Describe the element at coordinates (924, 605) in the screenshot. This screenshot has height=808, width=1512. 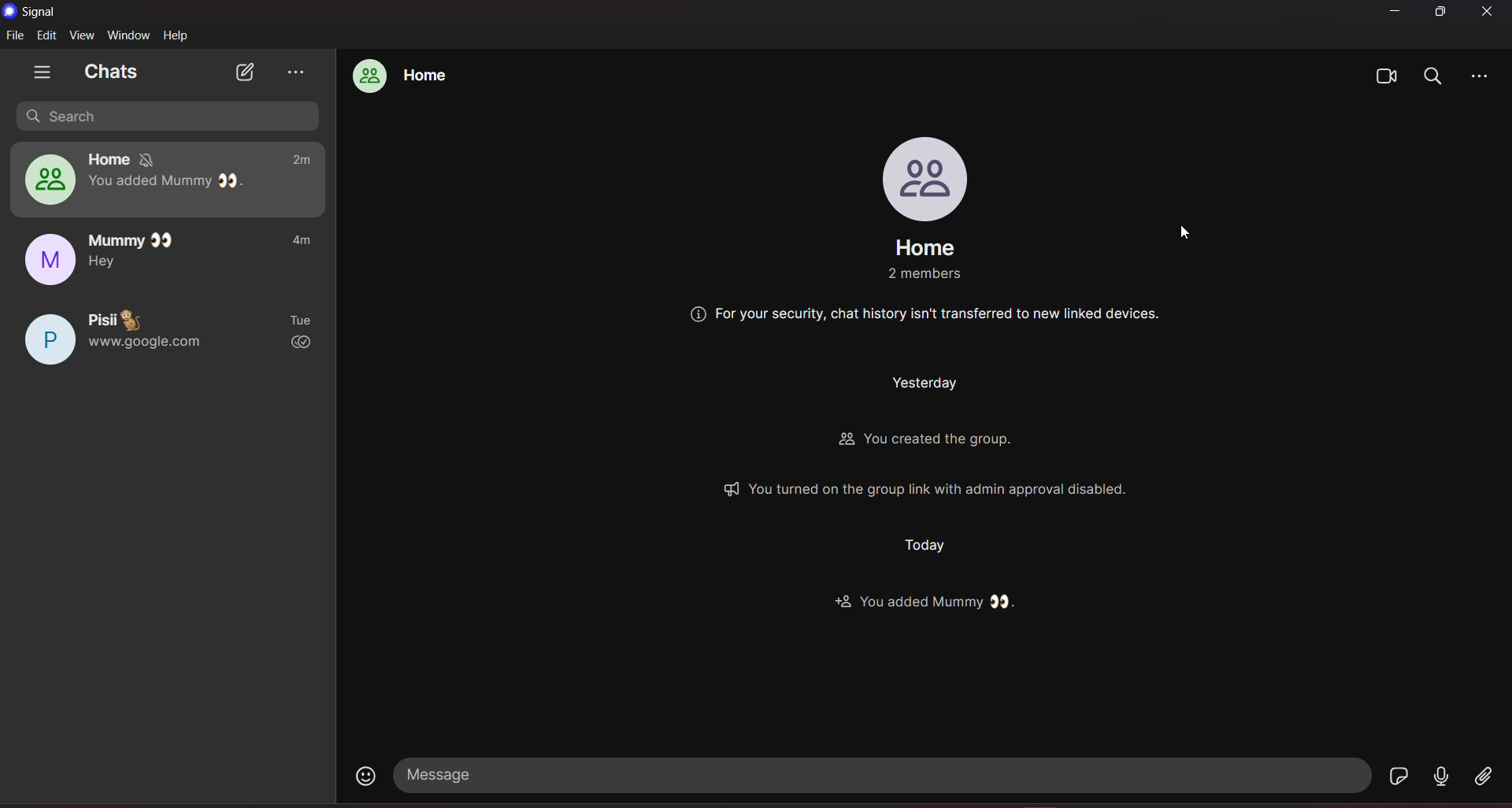
I see `` at that location.